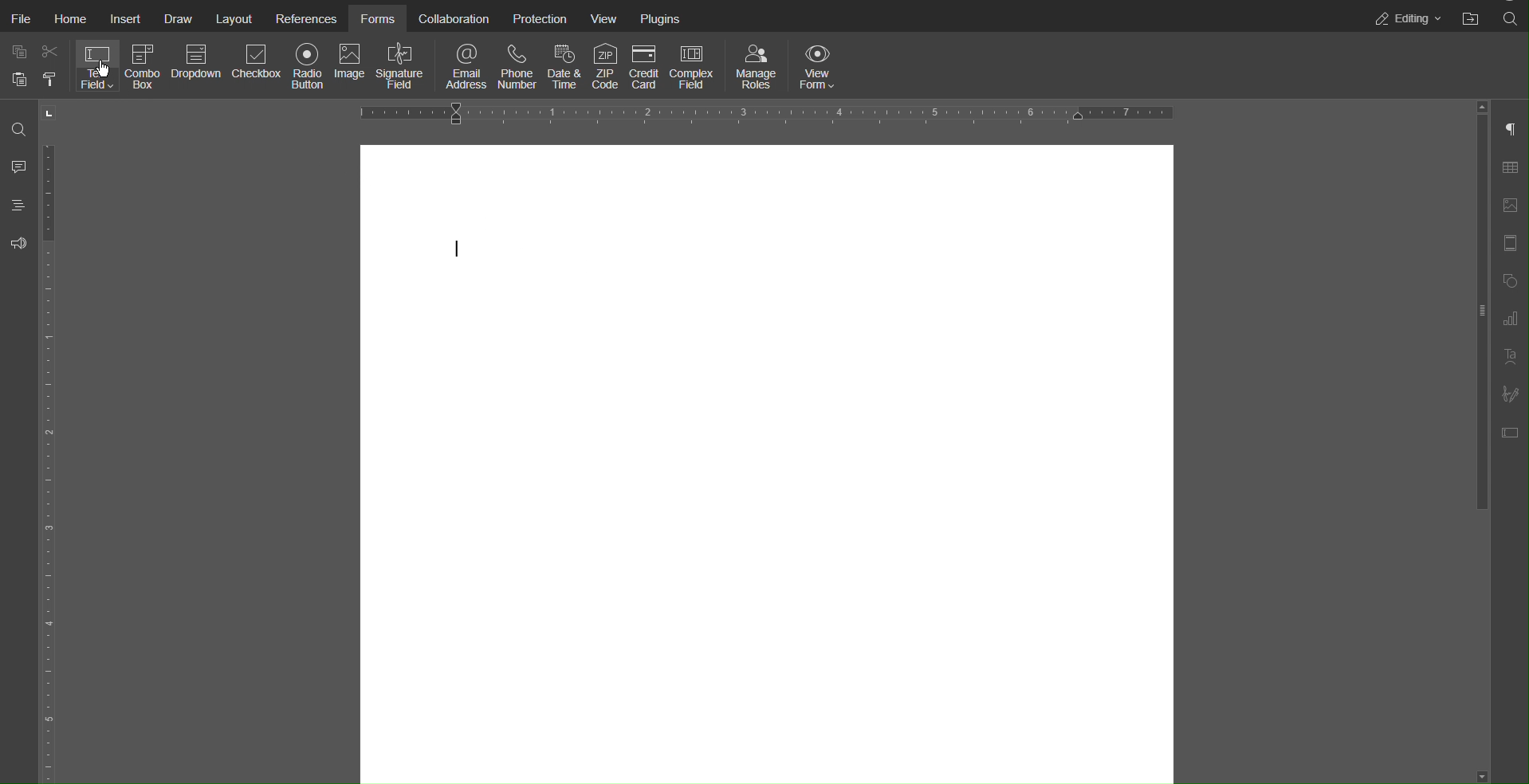 The height and width of the screenshot is (784, 1529). I want to click on Text Field, so click(98, 66).